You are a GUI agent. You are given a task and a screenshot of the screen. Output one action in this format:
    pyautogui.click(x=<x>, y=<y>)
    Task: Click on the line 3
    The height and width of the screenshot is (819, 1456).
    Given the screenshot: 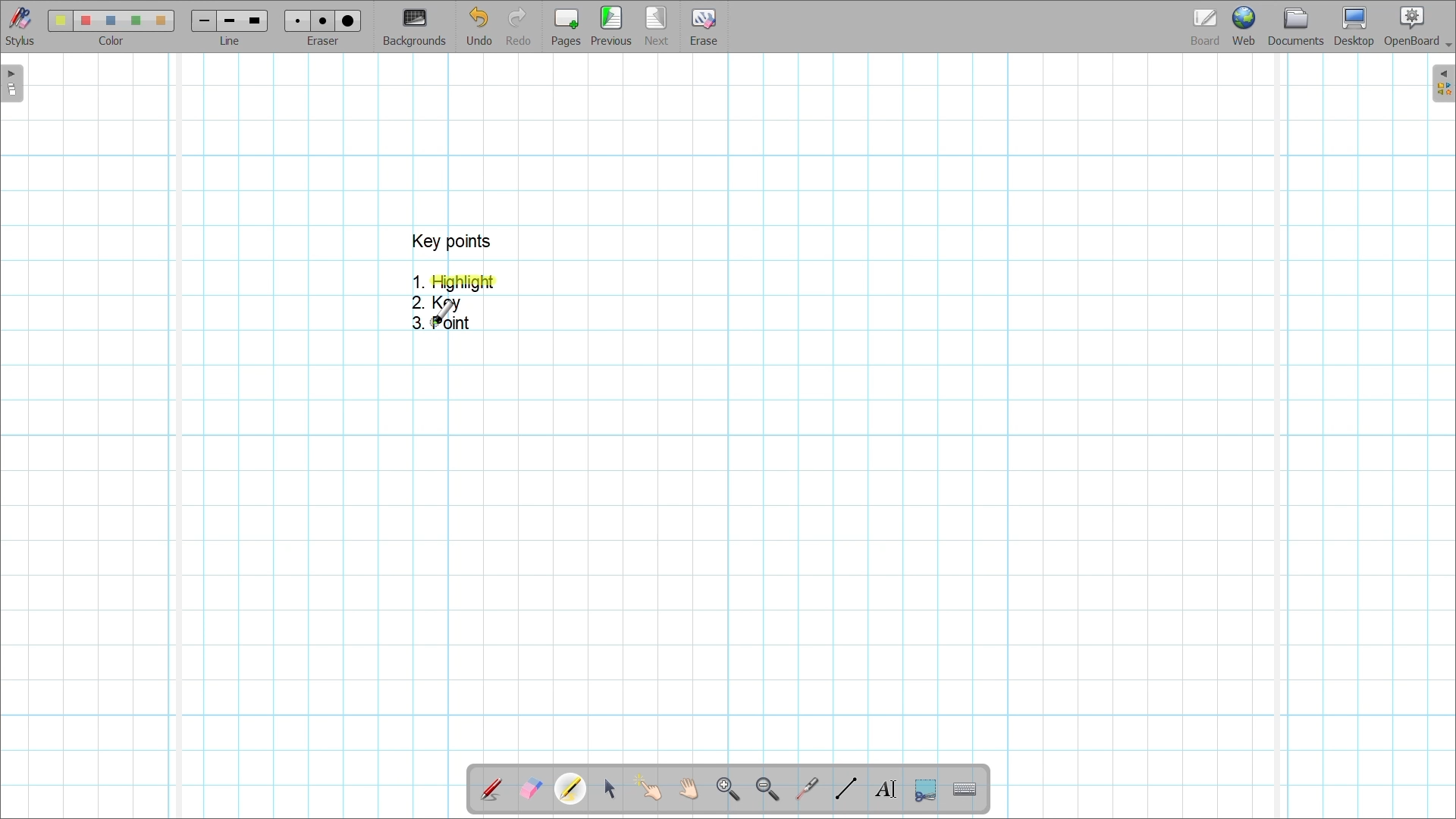 What is the action you would take?
    pyautogui.click(x=253, y=20)
    